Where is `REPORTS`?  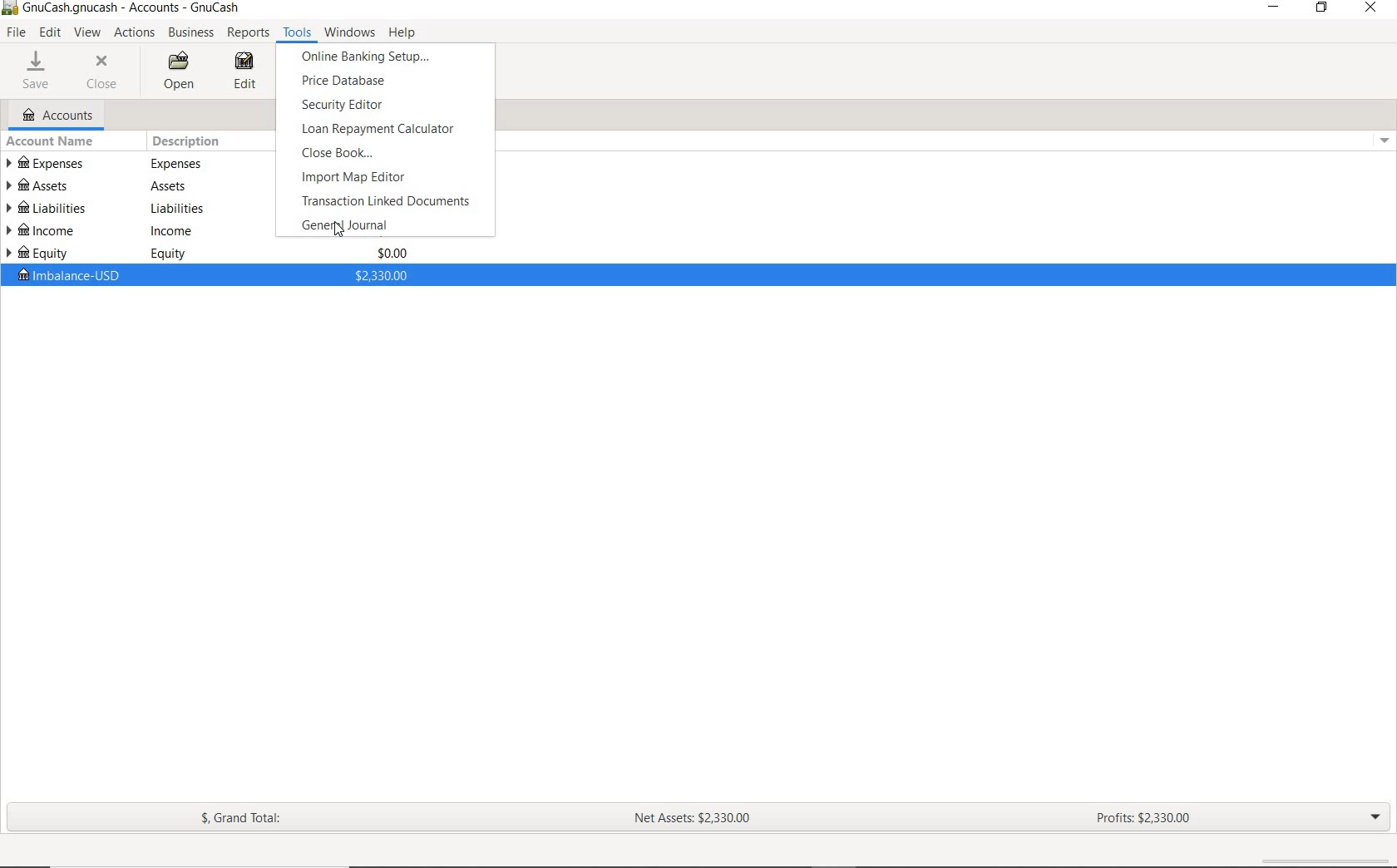
REPORTS is located at coordinates (249, 33).